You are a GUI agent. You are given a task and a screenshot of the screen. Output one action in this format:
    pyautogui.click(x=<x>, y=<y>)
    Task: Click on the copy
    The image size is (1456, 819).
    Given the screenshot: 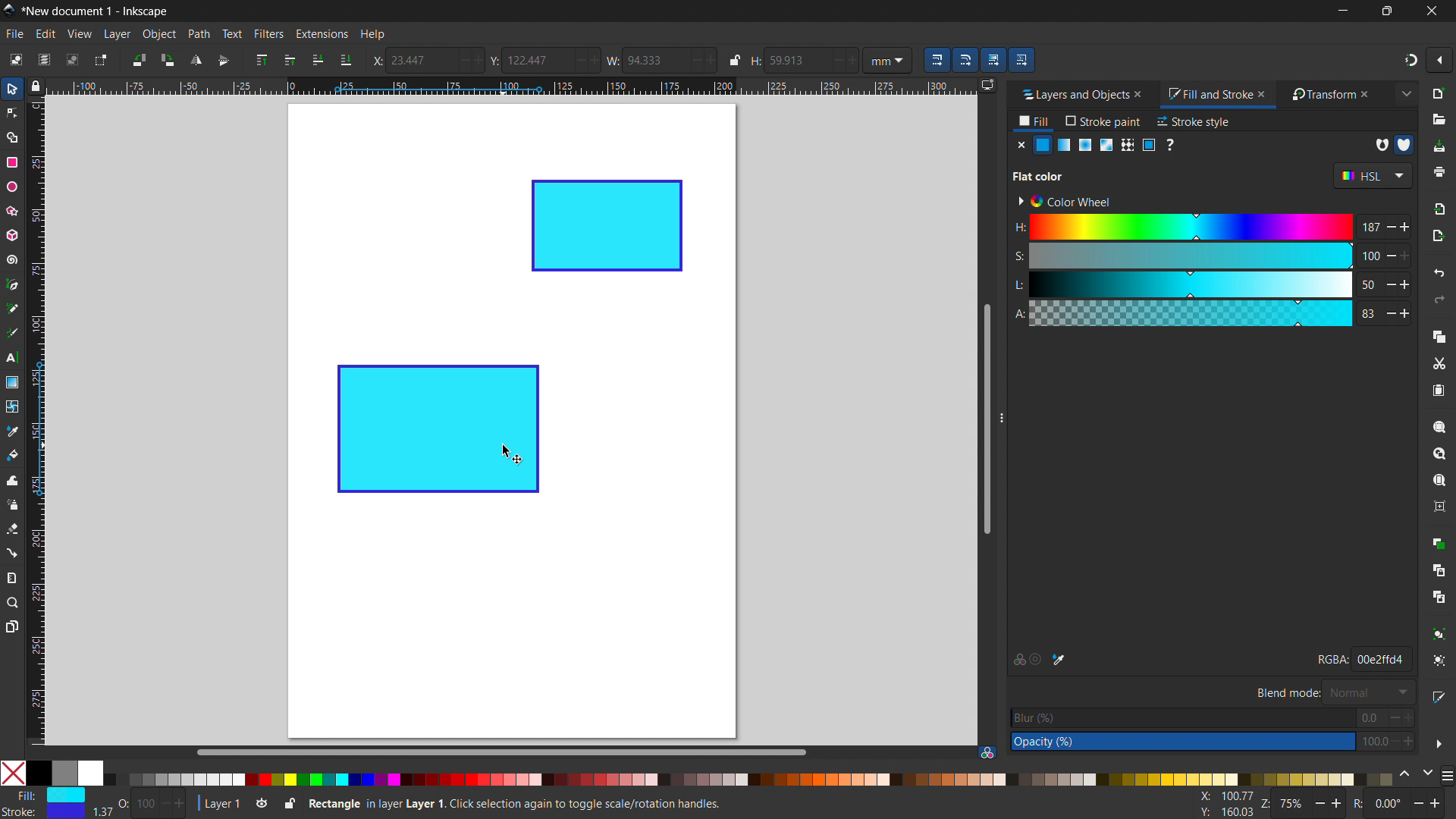 What is the action you would take?
    pyautogui.click(x=1439, y=336)
    